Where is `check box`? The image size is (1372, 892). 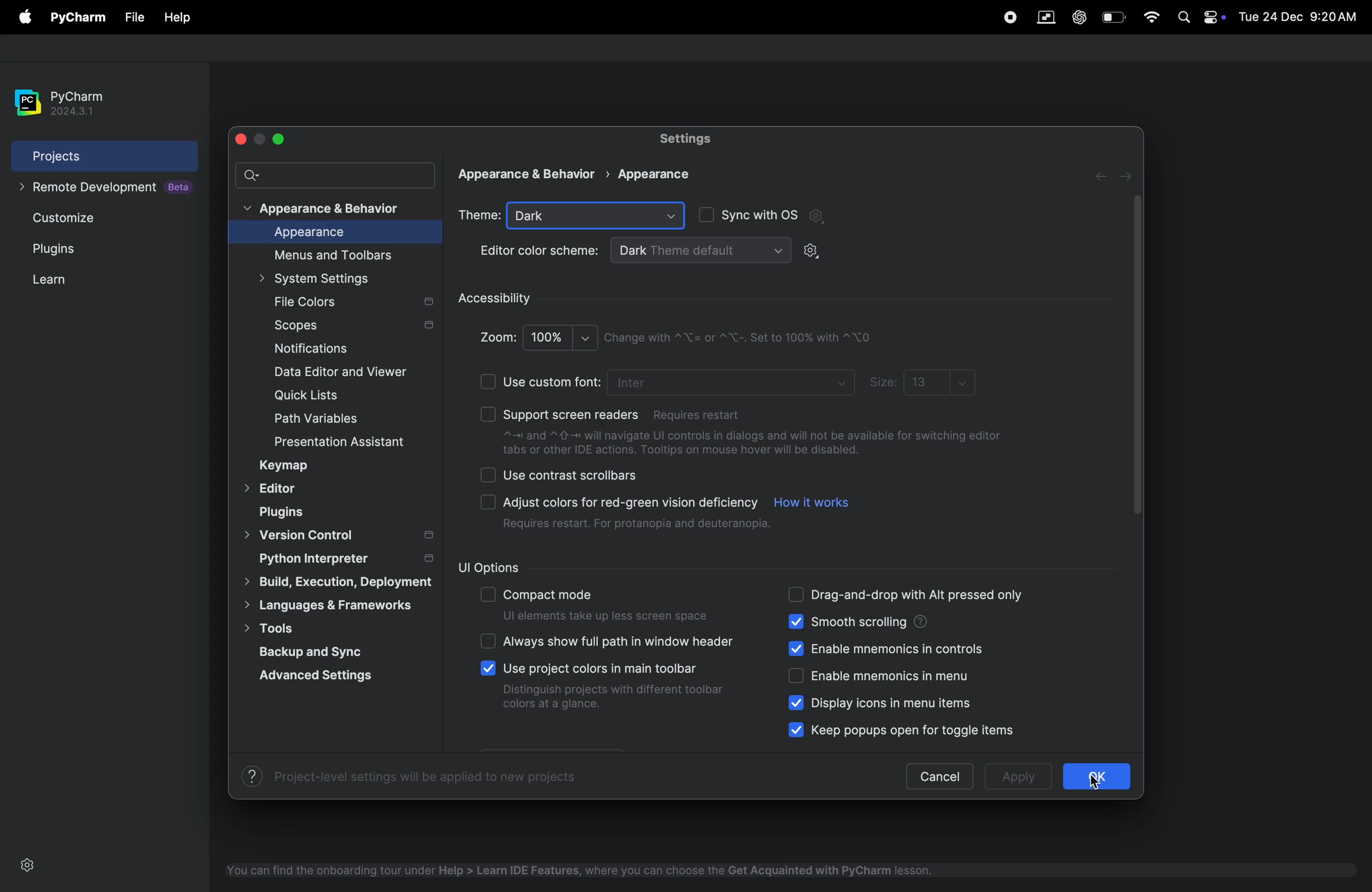 check box is located at coordinates (704, 216).